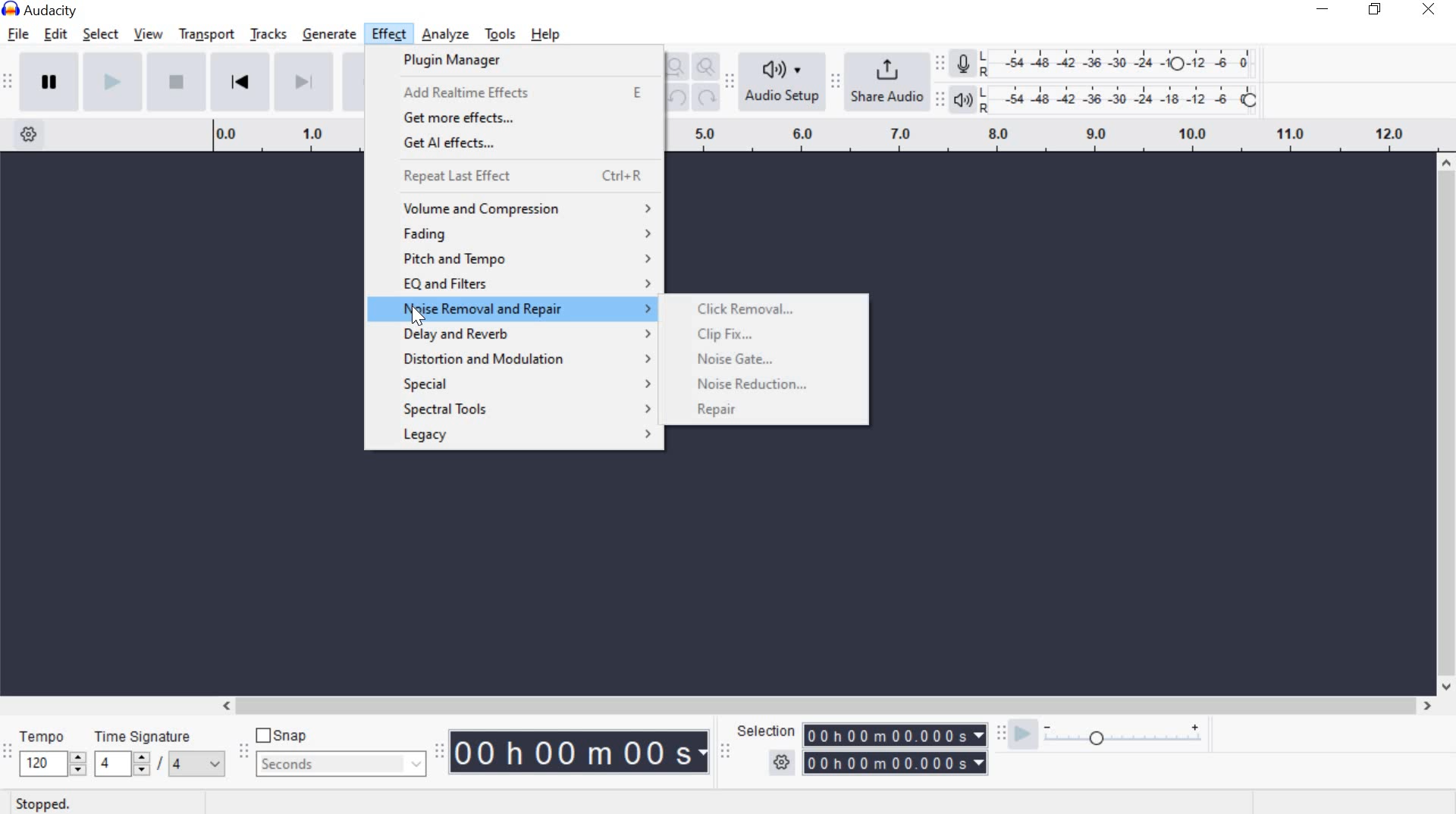 The image size is (1456, 814). What do you see at coordinates (758, 307) in the screenshot?
I see `click removal` at bounding box center [758, 307].